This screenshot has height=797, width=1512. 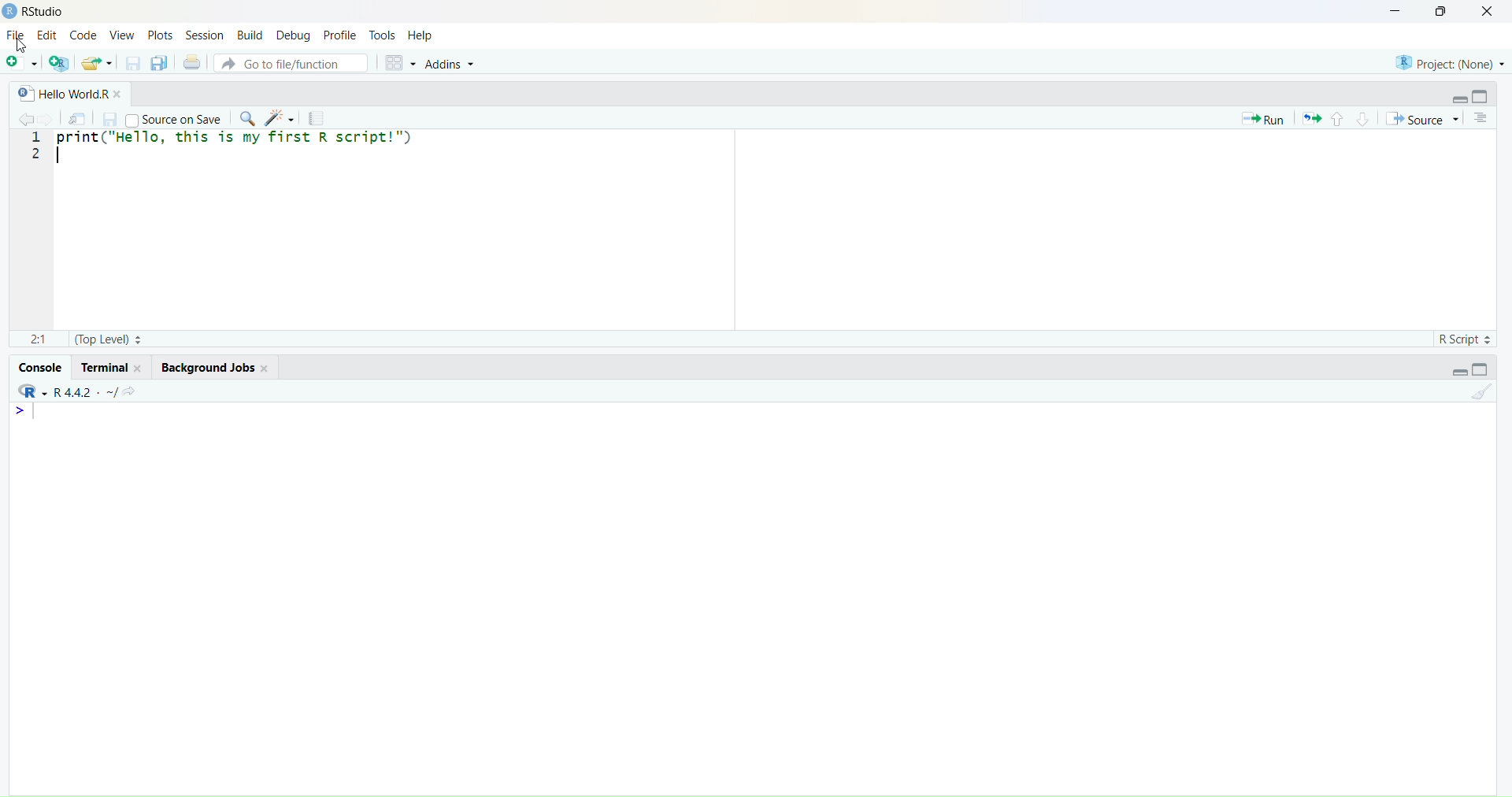 I want to click on Open an existing file (Ctrl + O), so click(x=96, y=64).